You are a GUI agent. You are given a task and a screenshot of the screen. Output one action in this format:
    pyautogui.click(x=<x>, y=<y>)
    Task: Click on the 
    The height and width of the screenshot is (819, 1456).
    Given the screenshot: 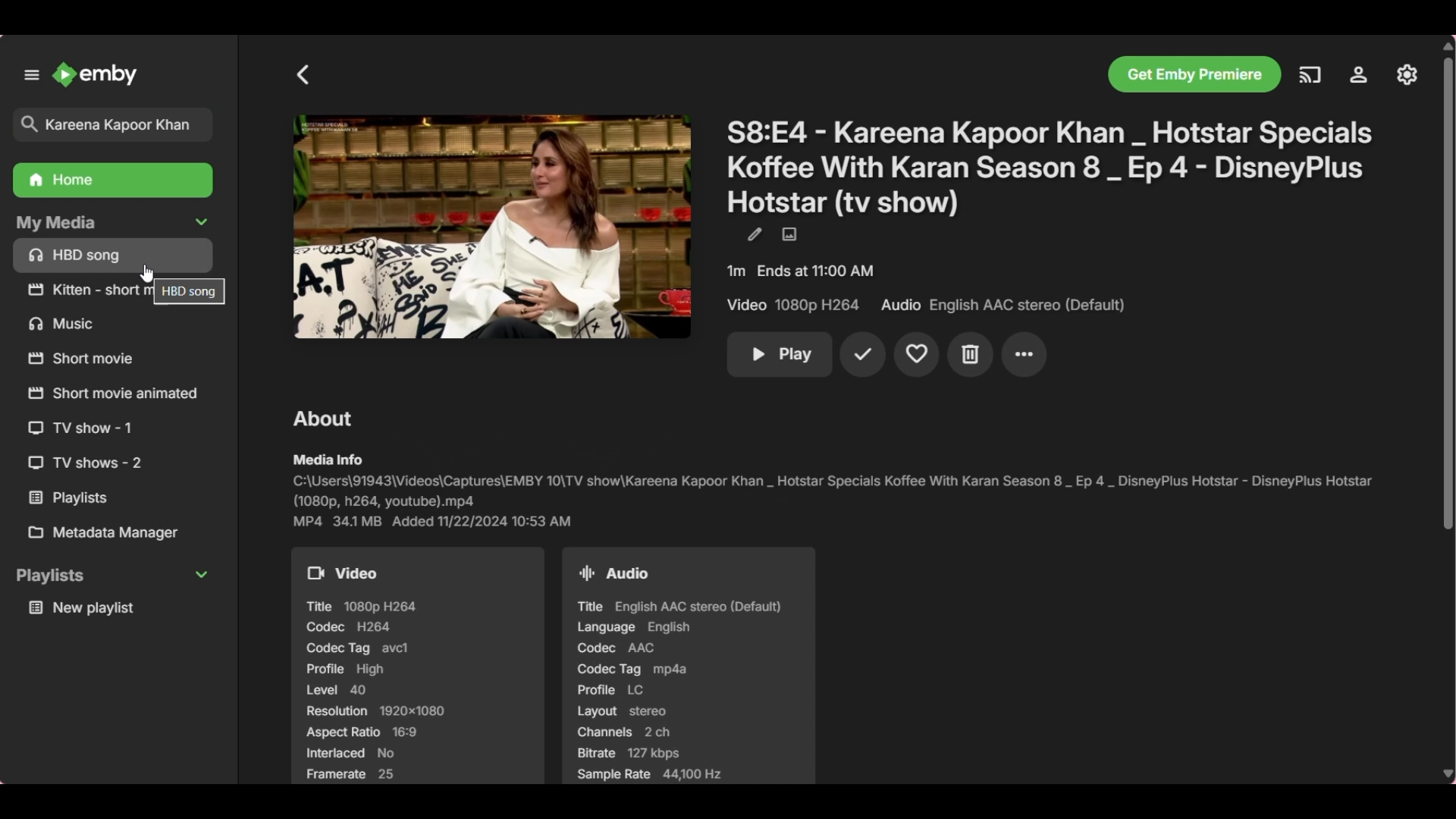 What is the action you would take?
    pyautogui.click(x=1409, y=71)
    